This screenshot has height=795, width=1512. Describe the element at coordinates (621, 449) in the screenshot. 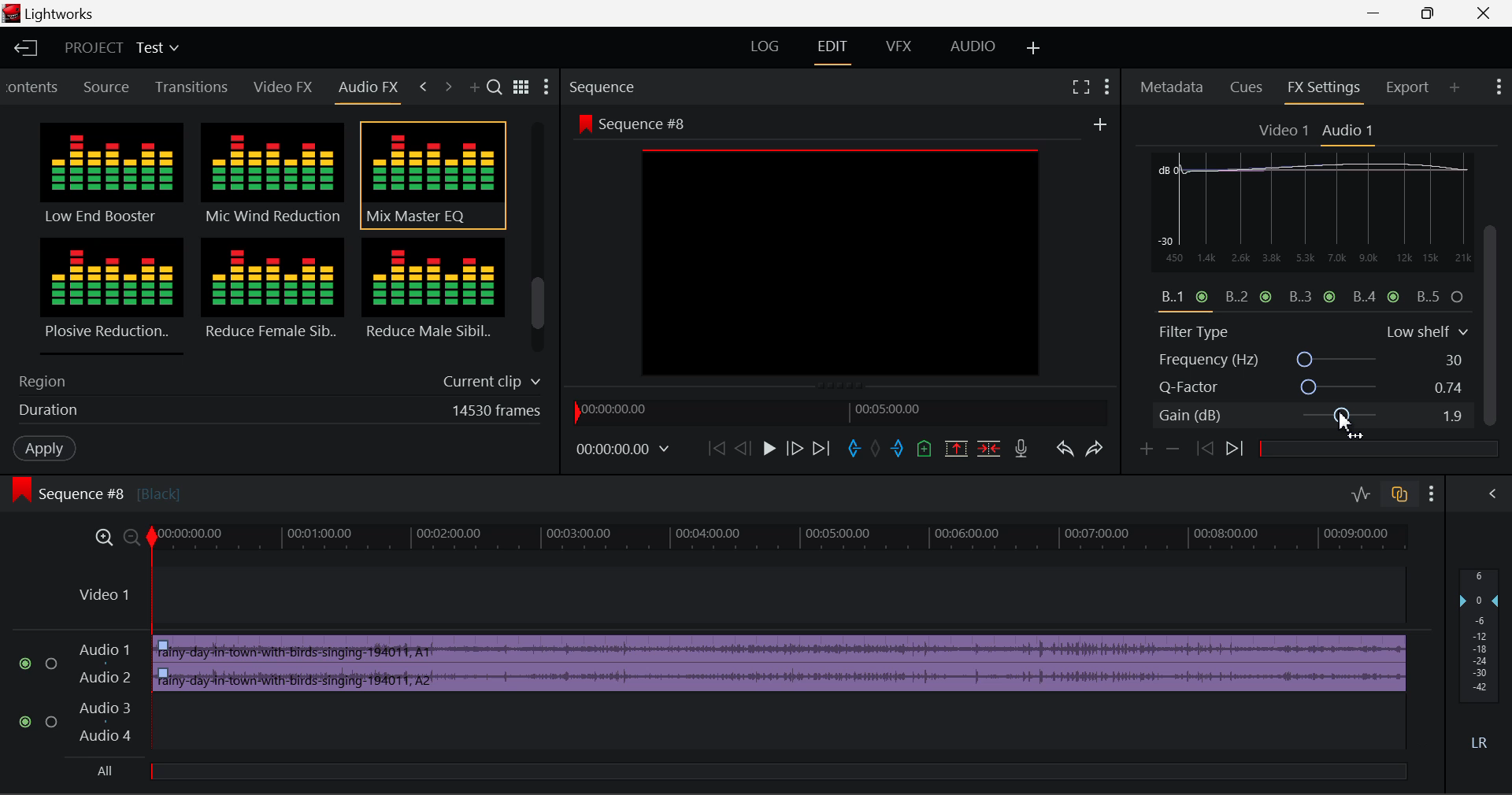

I see `Frame Time` at that location.